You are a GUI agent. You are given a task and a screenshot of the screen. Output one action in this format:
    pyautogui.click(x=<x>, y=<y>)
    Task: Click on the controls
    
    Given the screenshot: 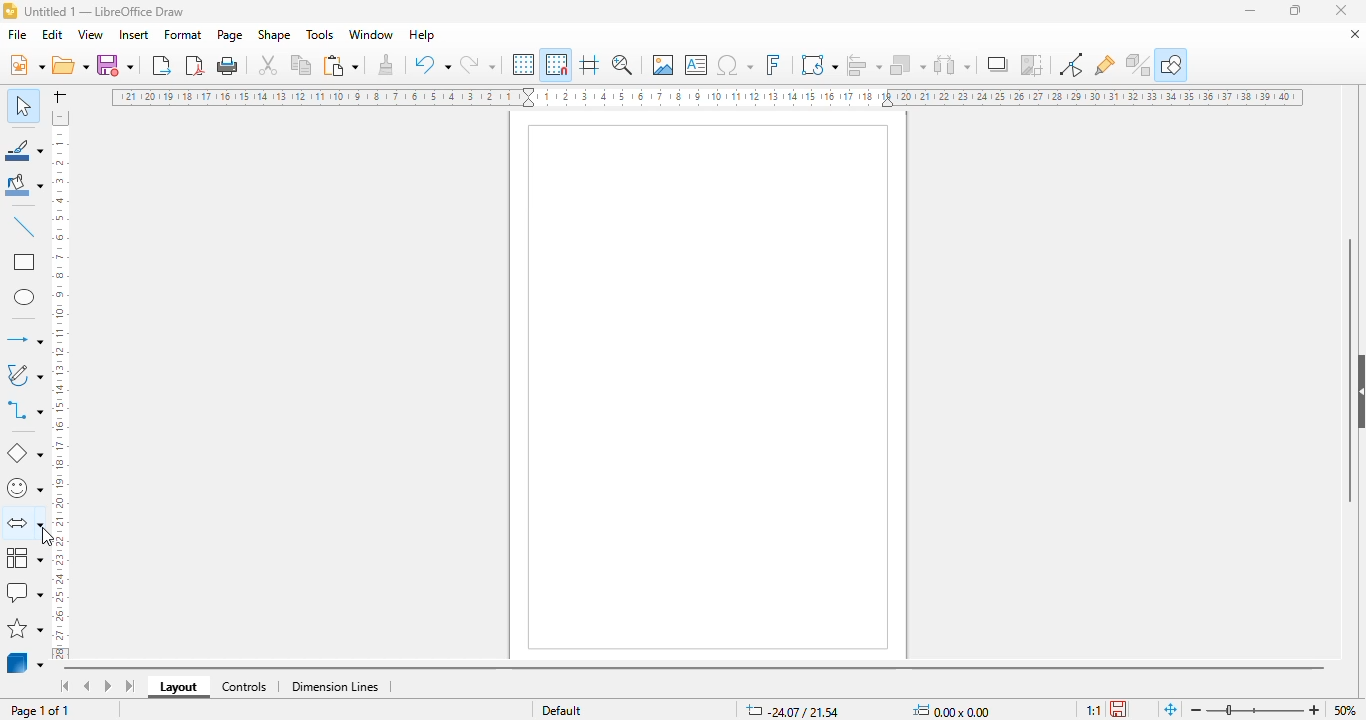 What is the action you would take?
    pyautogui.click(x=244, y=687)
    